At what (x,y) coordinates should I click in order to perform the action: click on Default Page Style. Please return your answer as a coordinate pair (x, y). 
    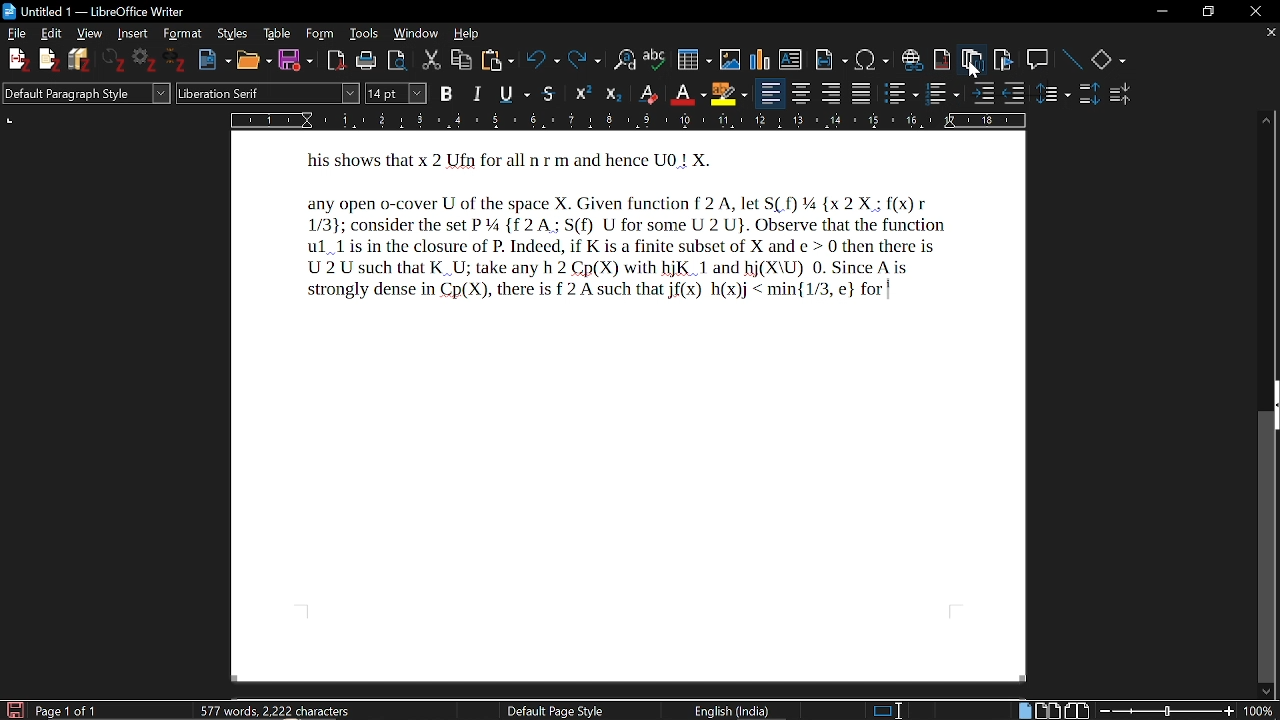
    Looking at the image, I should click on (552, 711).